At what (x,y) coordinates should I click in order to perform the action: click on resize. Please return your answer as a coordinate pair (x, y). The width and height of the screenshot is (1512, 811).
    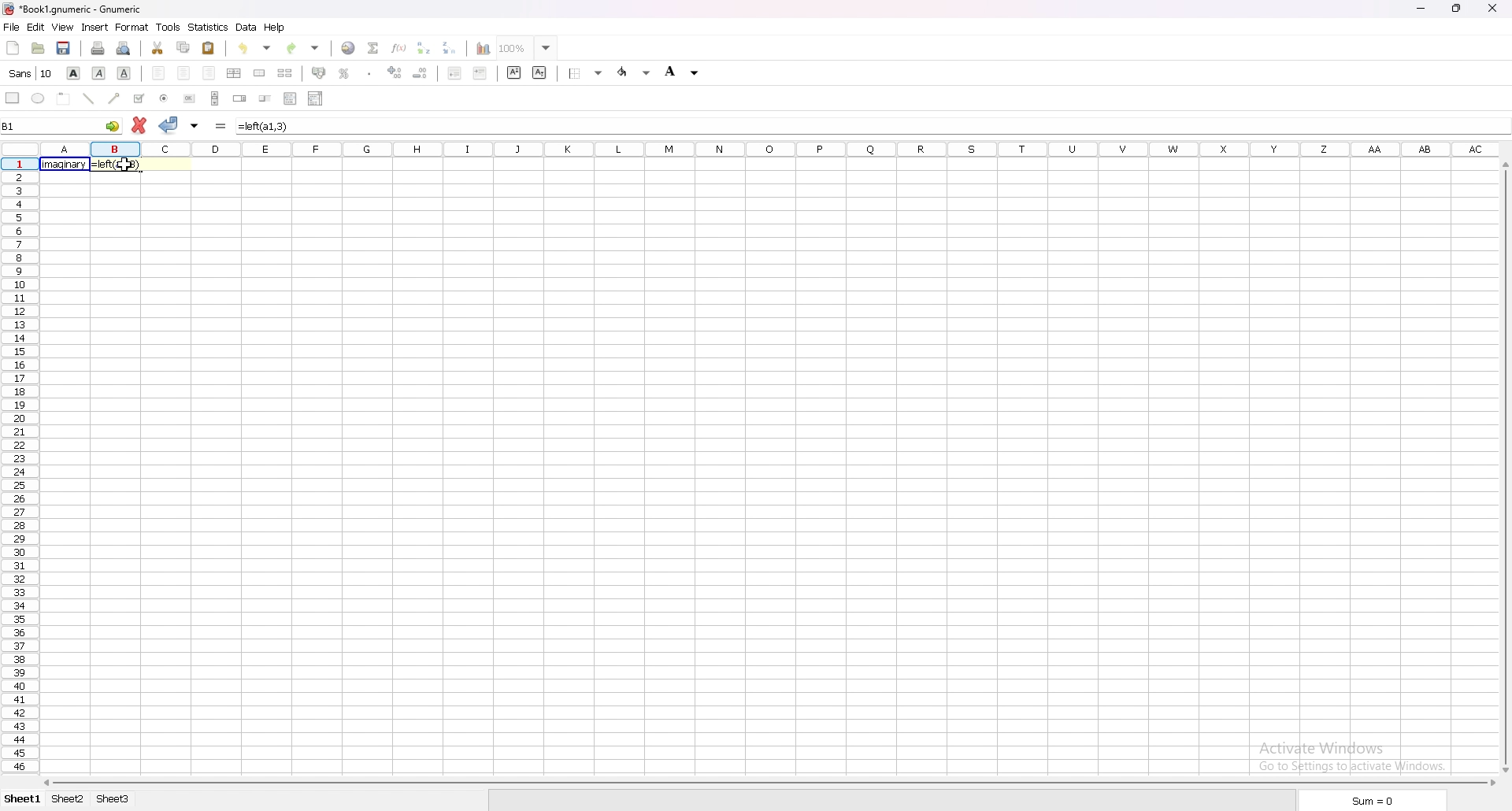
    Looking at the image, I should click on (1458, 9).